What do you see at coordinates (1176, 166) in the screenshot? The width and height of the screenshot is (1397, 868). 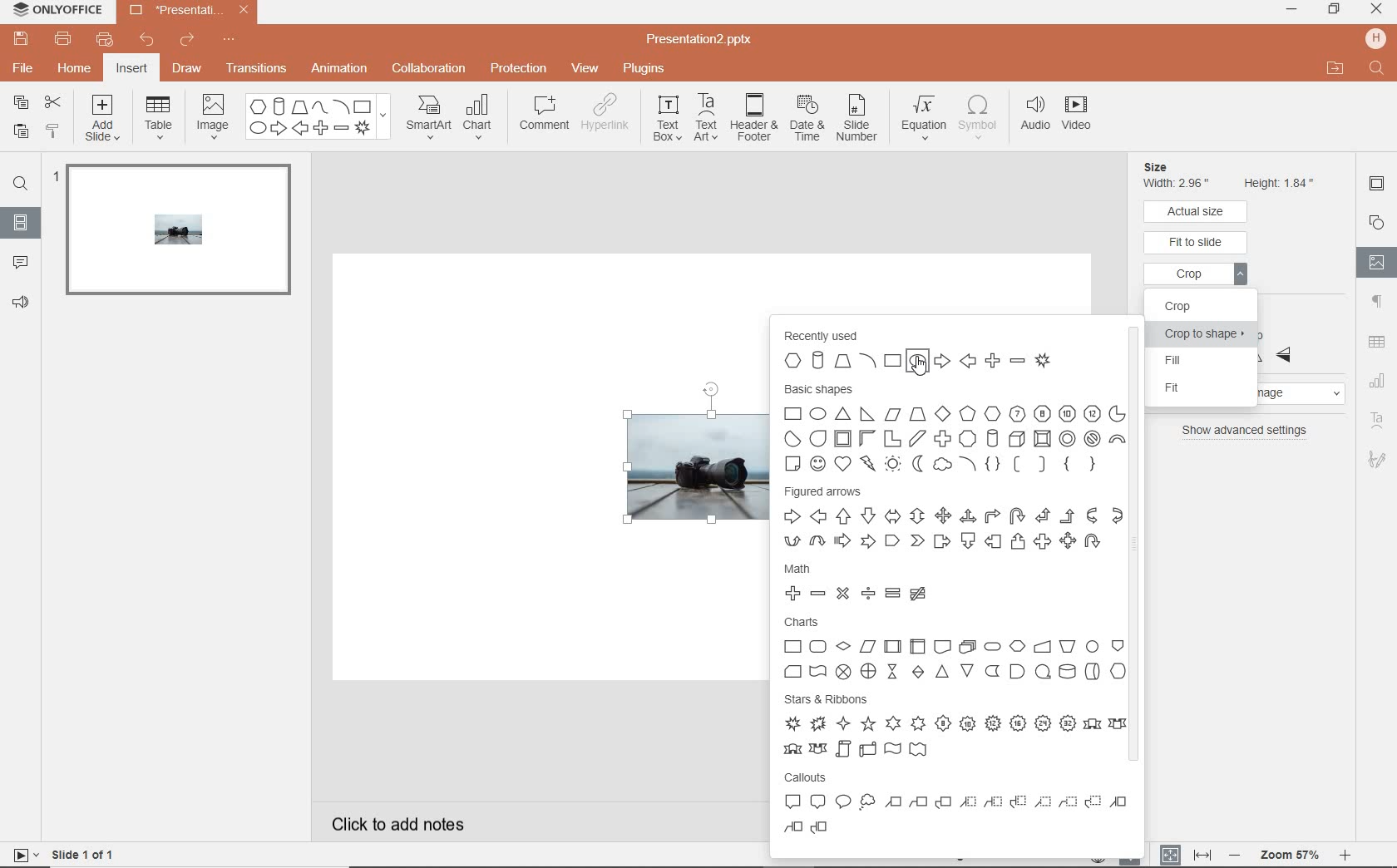 I see `Size` at bounding box center [1176, 166].